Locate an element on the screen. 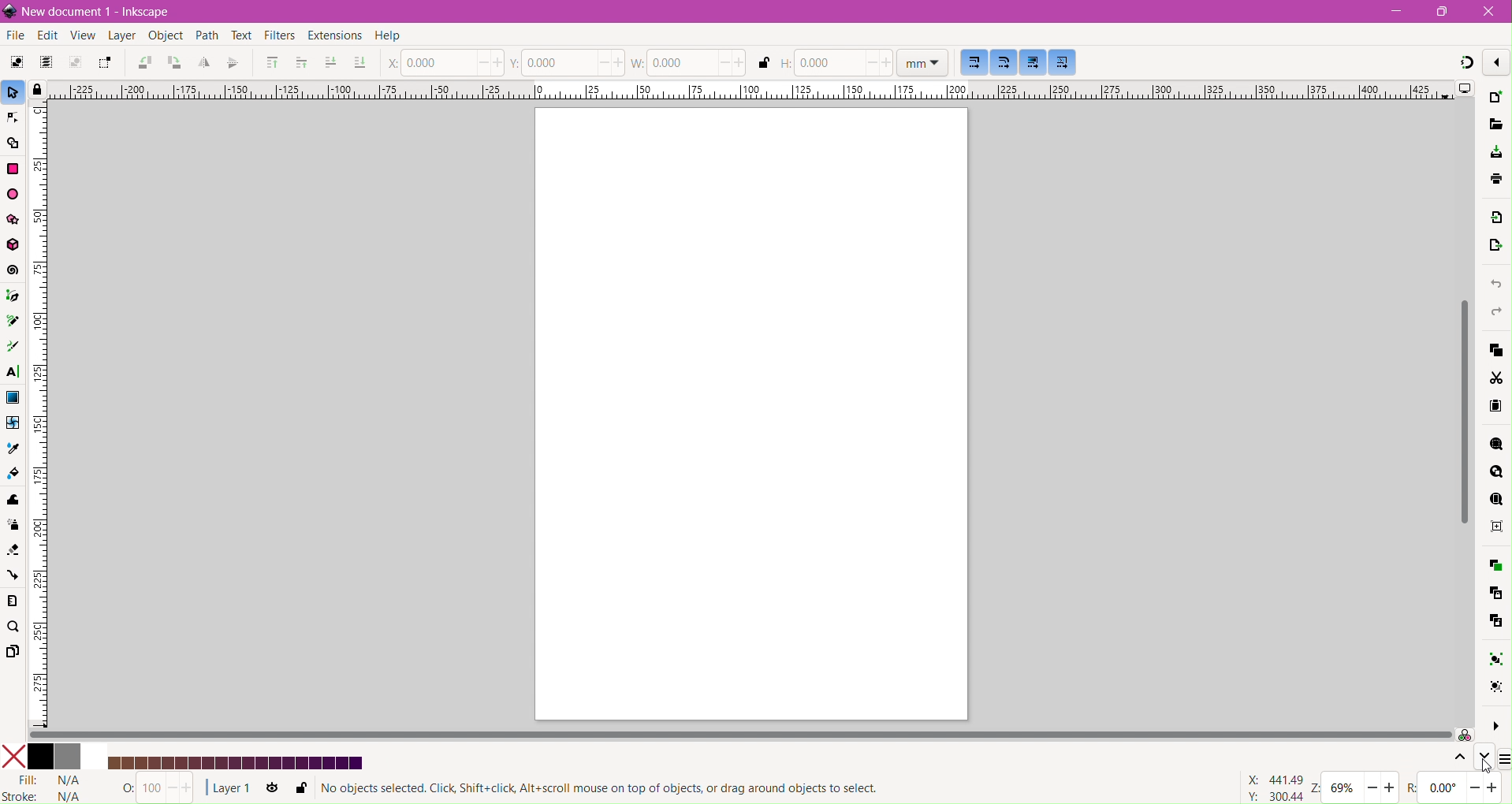 The image size is (1512, 804). Set the position of Y coordinate of the cursor is located at coordinates (568, 61).